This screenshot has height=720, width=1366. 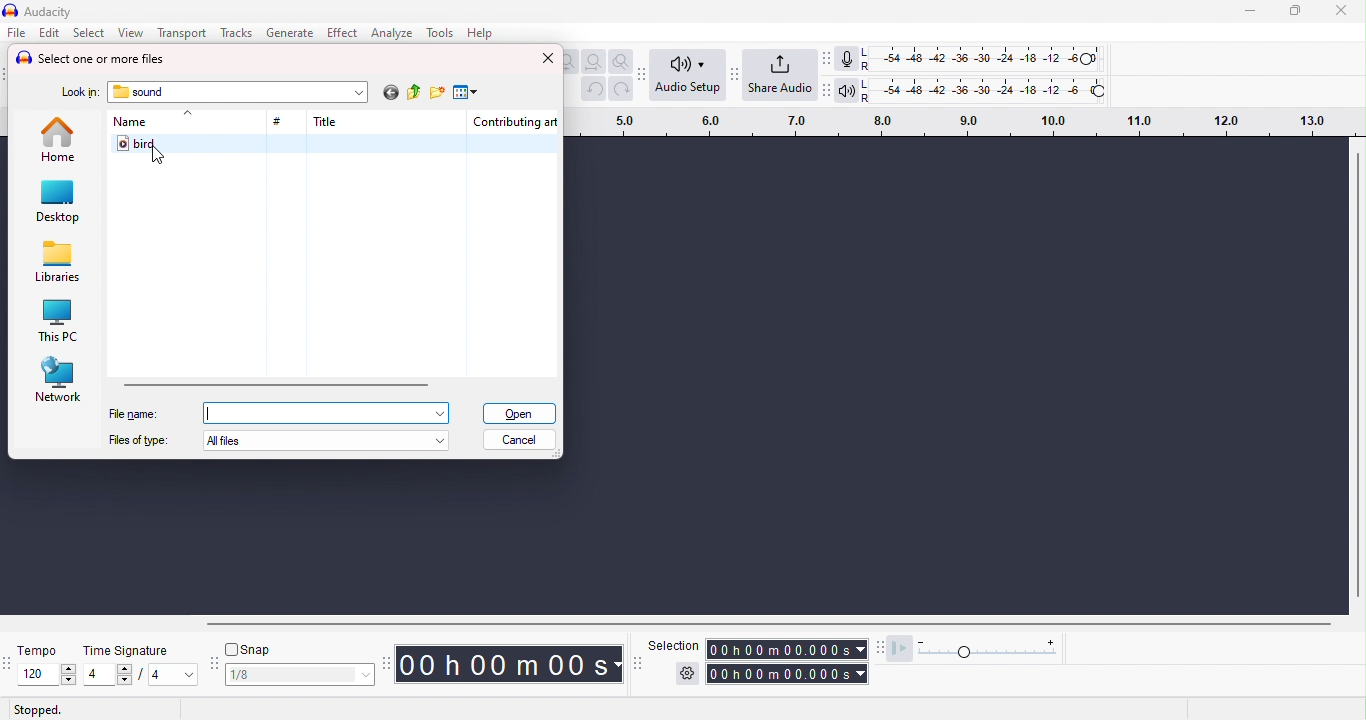 What do you see at coordinates (749, 623) in the screenshot?
I see `horizontal scroll bar` at bounding box center [749, 623].